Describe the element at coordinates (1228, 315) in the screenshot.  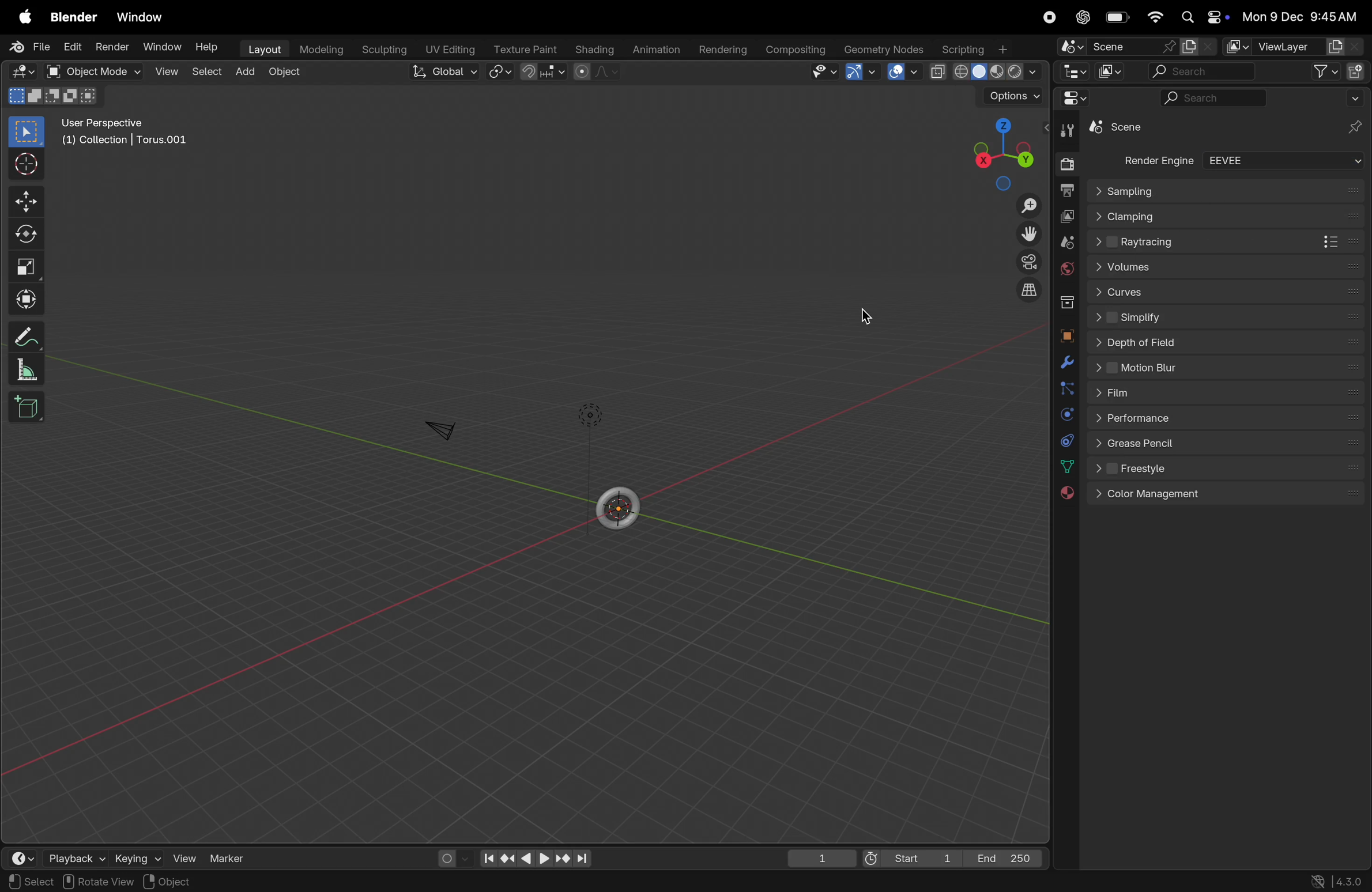
I see `simplify` at that location.